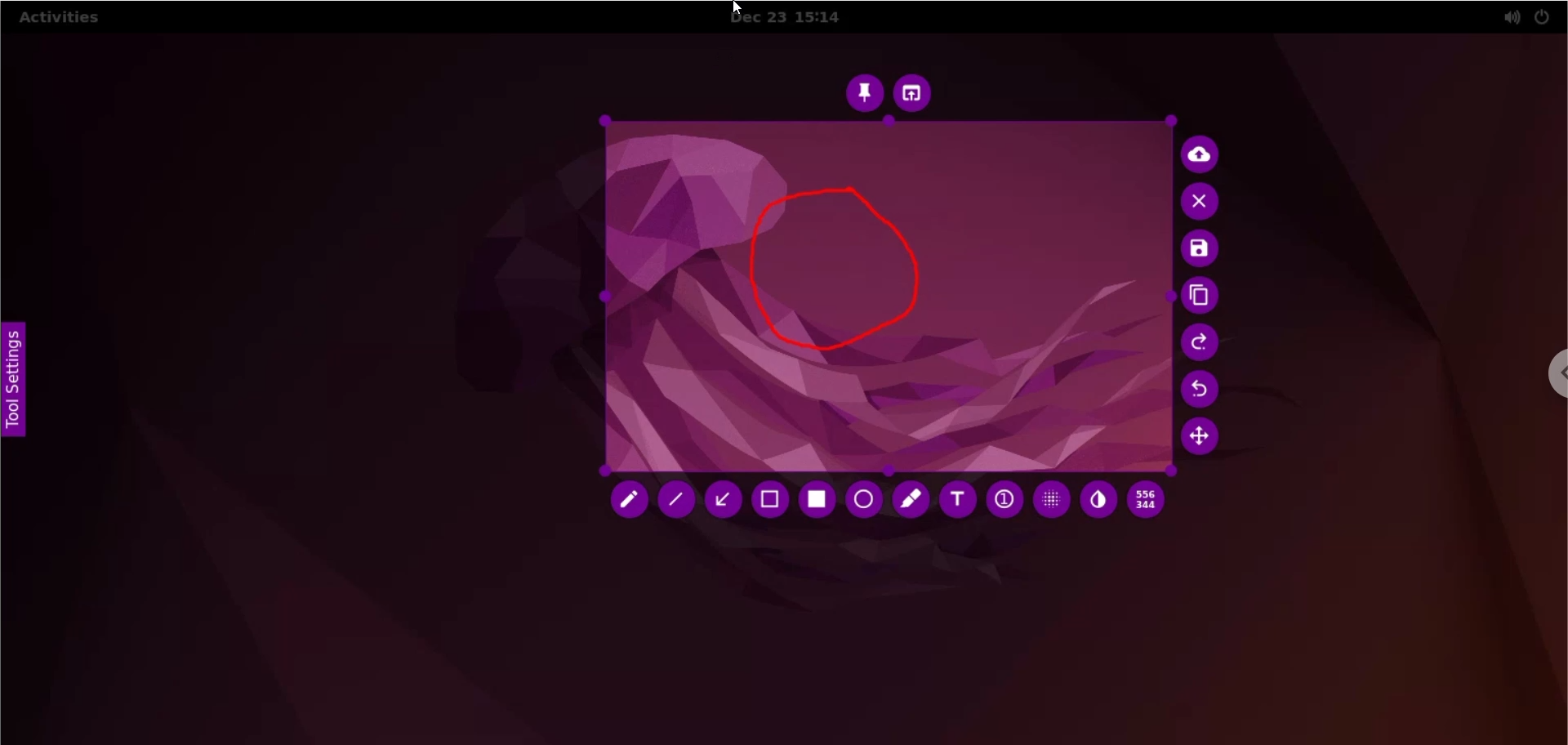 This screenshot has width=1568, height=745. What do you see at coordinates (1202, 346) in the screenshot?
I see `redo` at bounding box center [1202, 346].